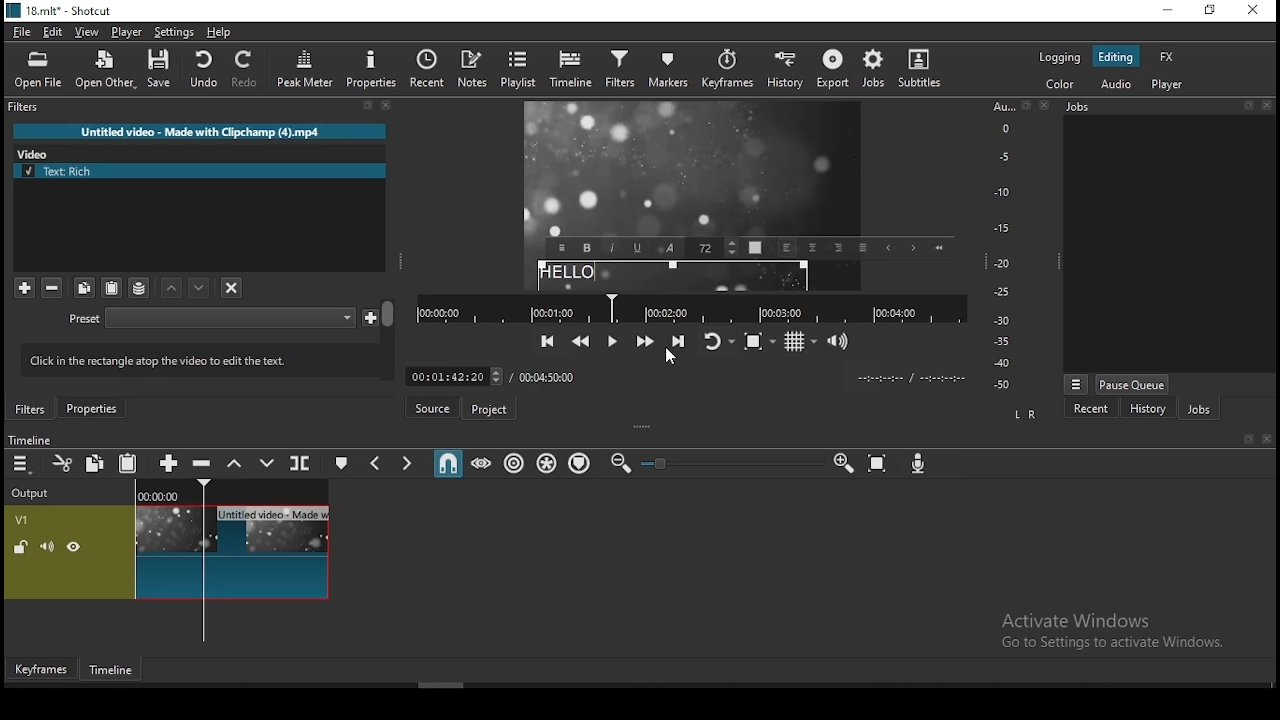 This screenshot has width=1280, height=720. Describe the element at coordinates (62, 463) in the screenshot. I see `cut` at that location.